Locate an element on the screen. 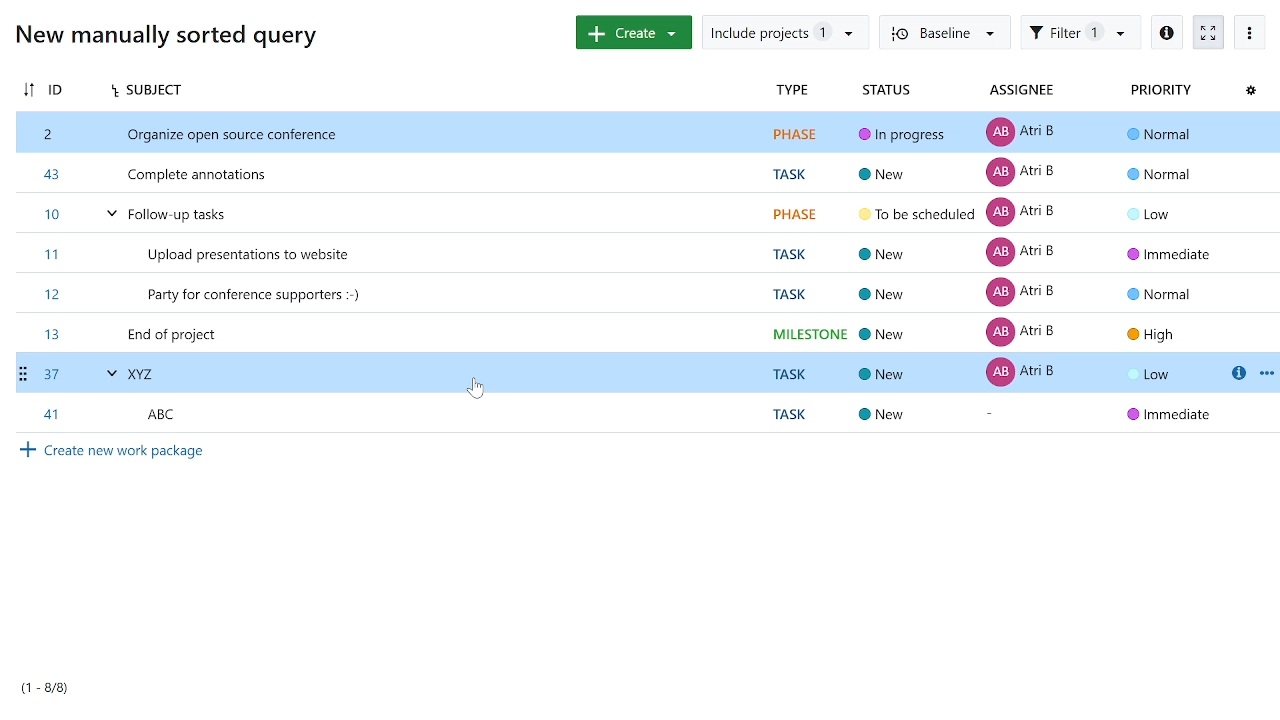  task name "party for conference supporters" is located at coordinates (643, 291).